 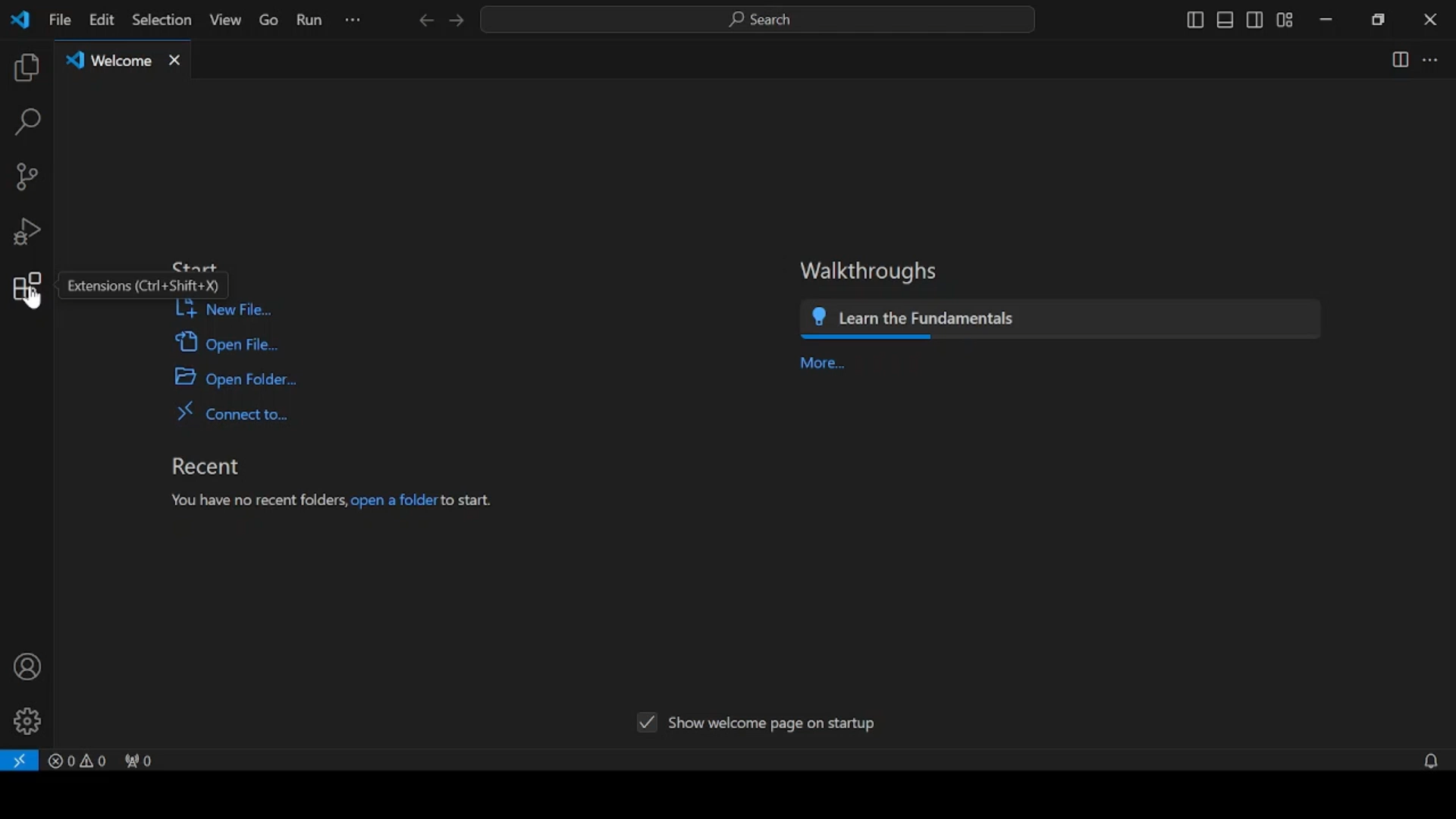 What do you see at coordinates (425, 20) in the screenshot?
I see `previous` at bounding box center [425, 20].